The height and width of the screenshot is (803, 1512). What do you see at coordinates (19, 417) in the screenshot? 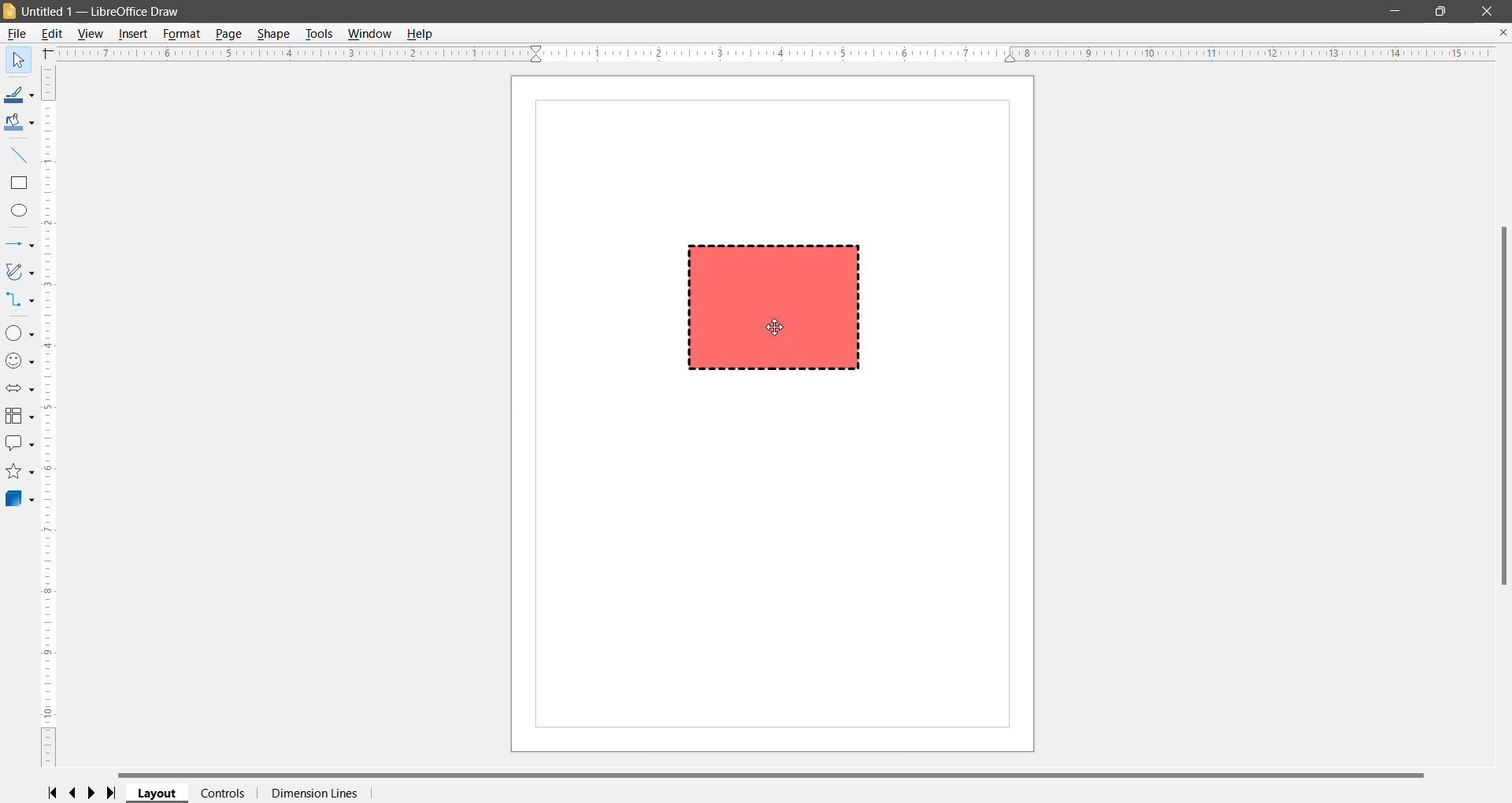
I see `Flowchart` at bounding box center [19, 417].